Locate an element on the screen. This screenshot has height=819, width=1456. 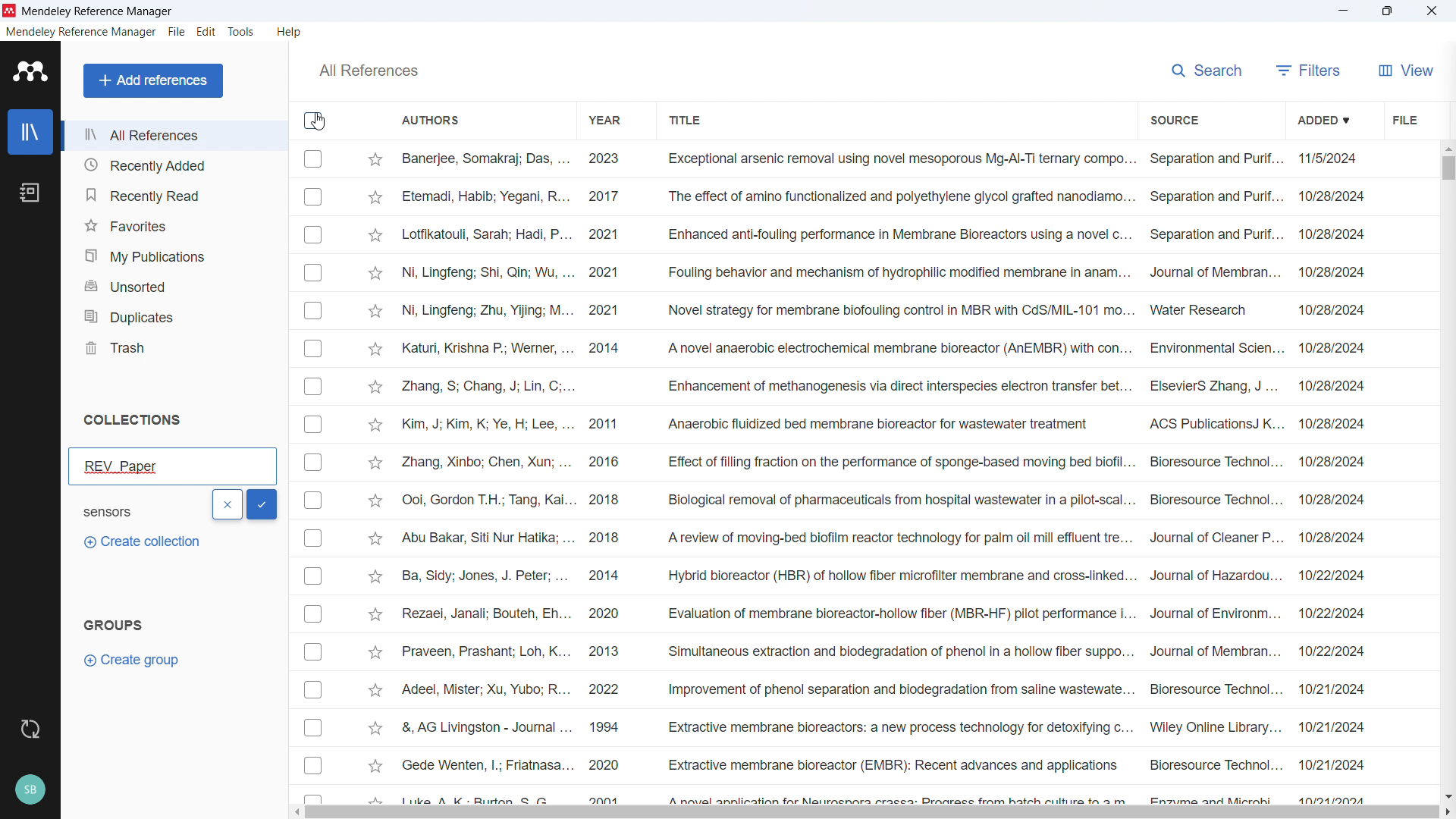
Mendeley reference manager  is located at coordinates (81, 32).